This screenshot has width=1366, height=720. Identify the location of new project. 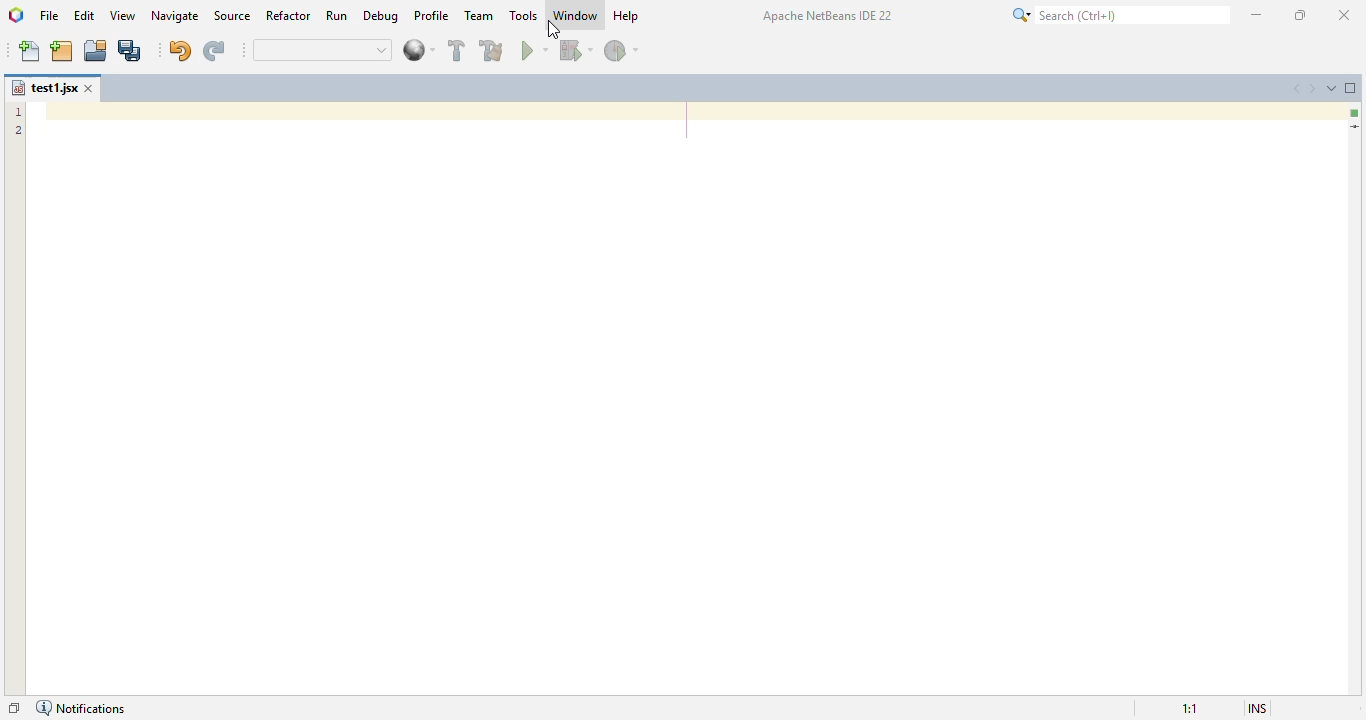
(61, 51).